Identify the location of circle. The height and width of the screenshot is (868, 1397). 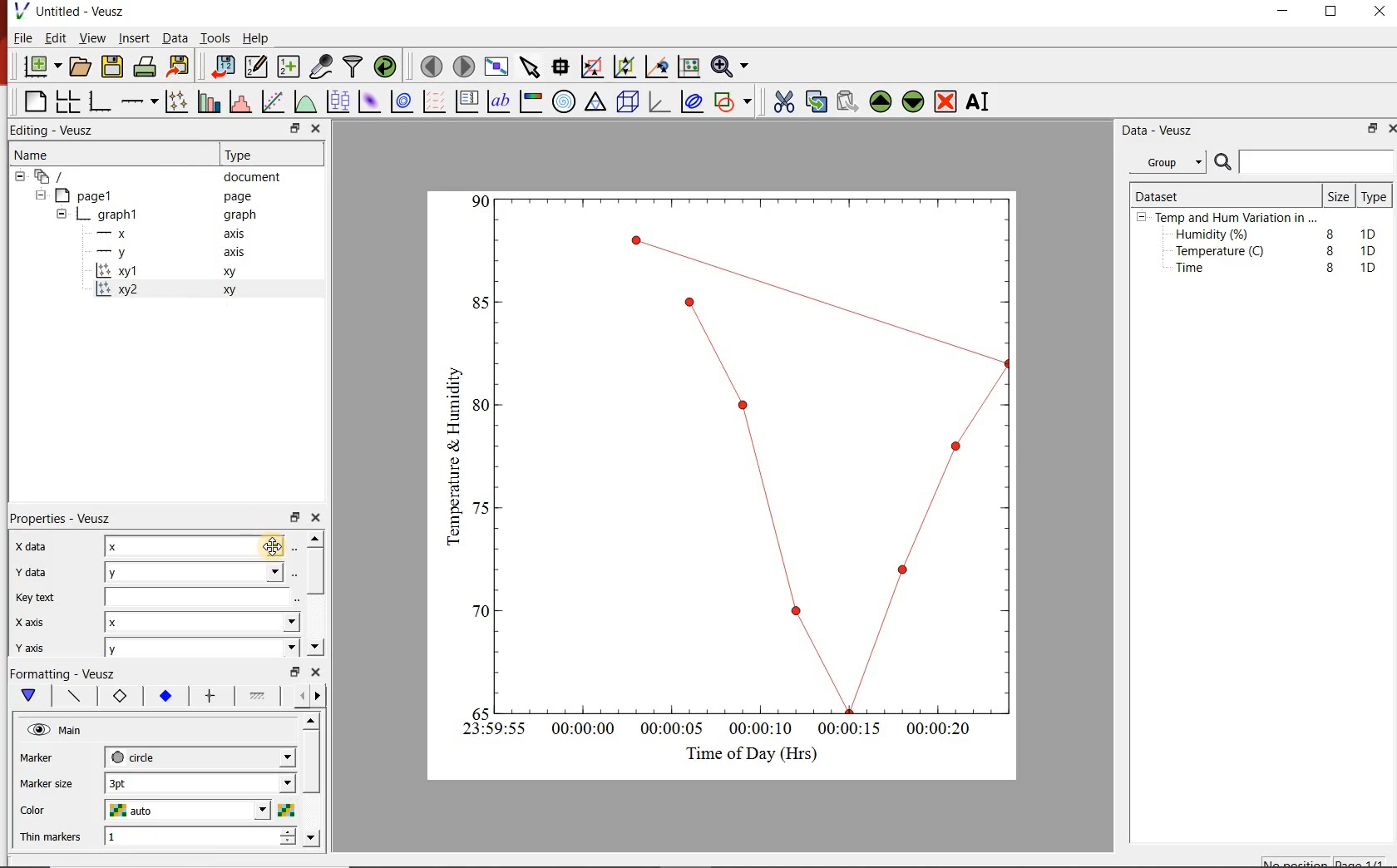
(136, 757).